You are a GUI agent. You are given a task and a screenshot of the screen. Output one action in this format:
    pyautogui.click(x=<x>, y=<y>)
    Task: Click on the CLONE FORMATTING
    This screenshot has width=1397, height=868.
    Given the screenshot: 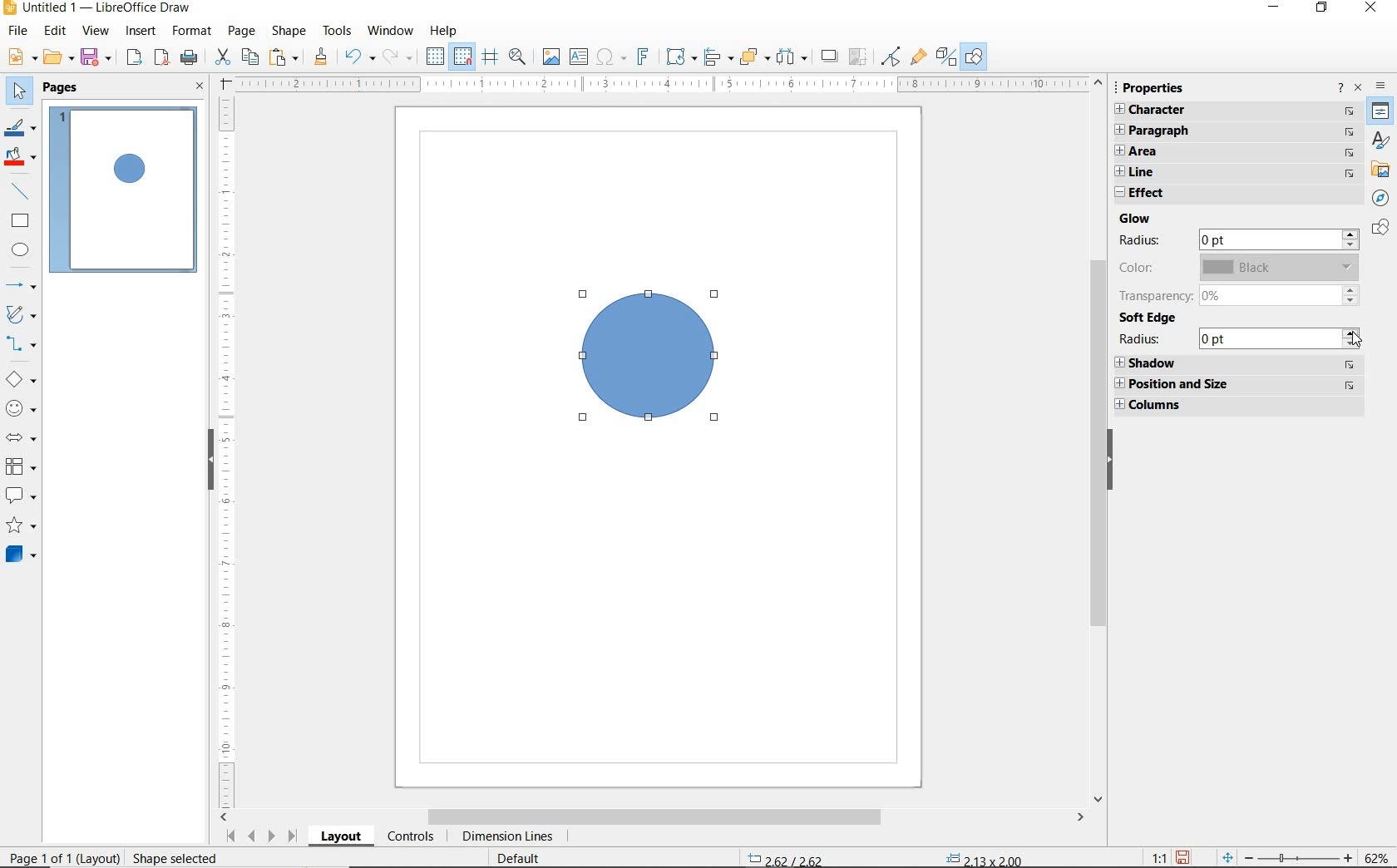 What is the action you would take?
    pyautogui.click(x=323, y=57)
    